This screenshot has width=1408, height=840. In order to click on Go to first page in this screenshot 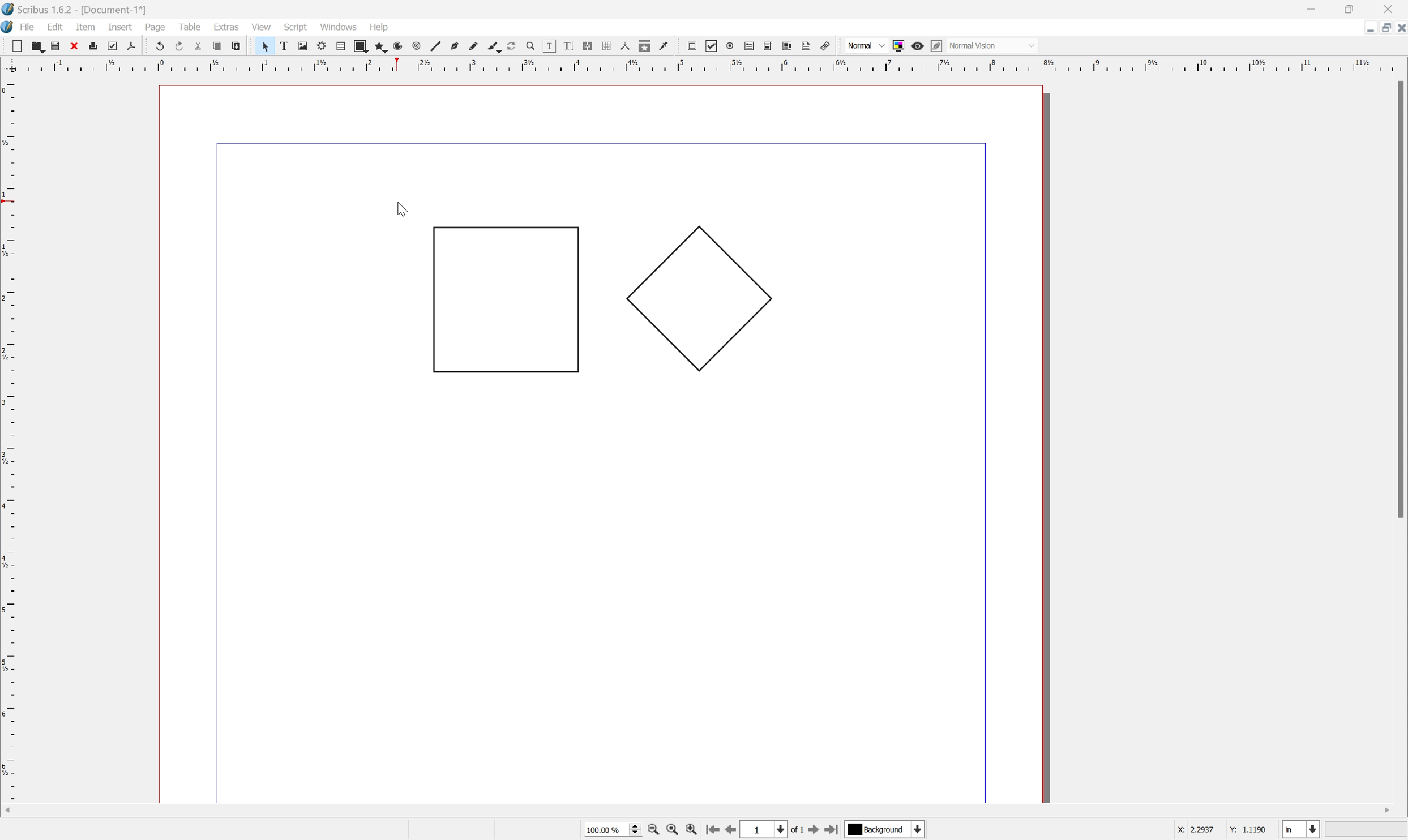, I will do `click(708, 830)`.